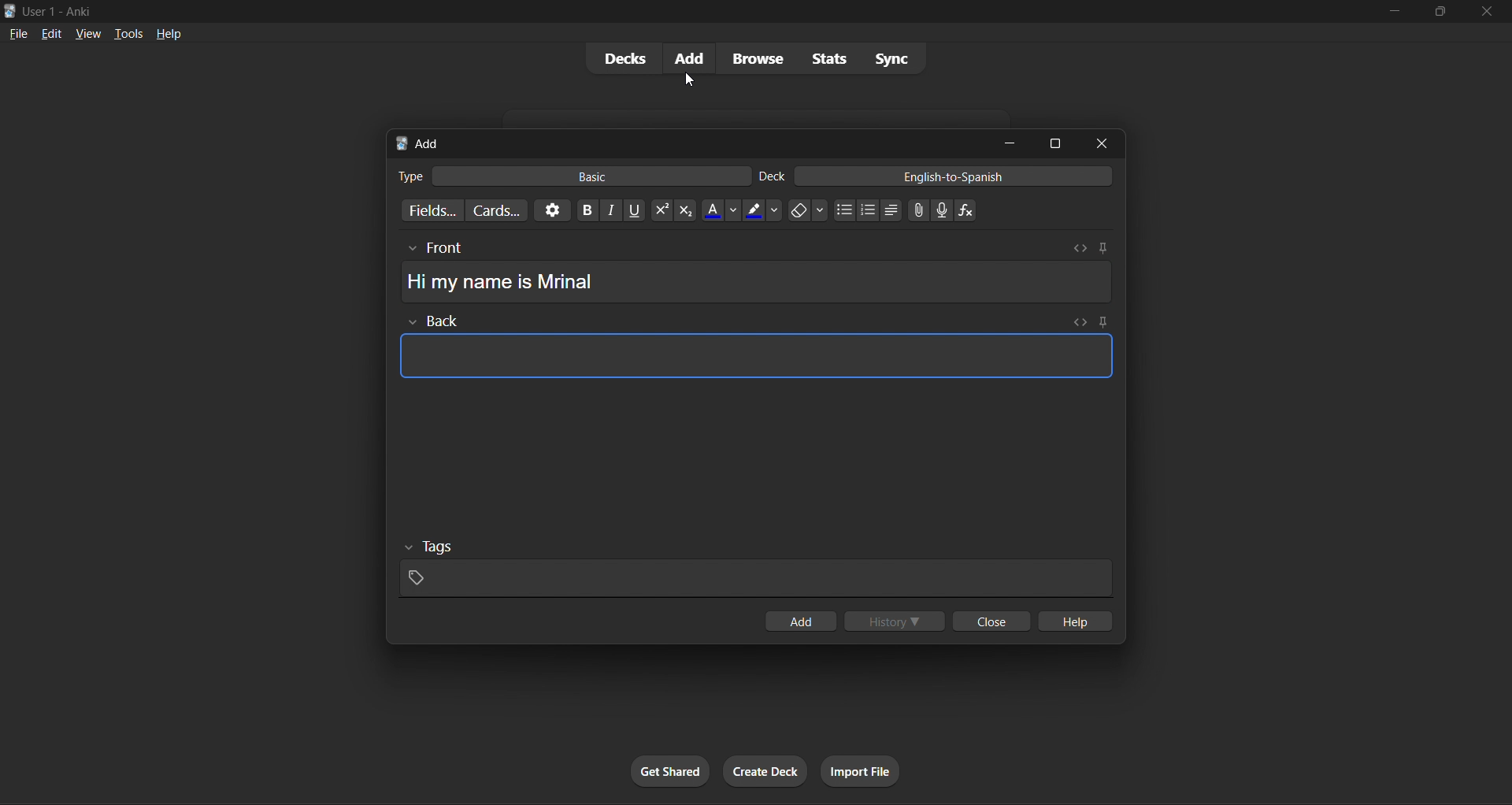 The width and height of the screenshot is (1512, 805). Describe the element at coordinates (1007, 143) in the screenshot. I see `minimize` at that location.